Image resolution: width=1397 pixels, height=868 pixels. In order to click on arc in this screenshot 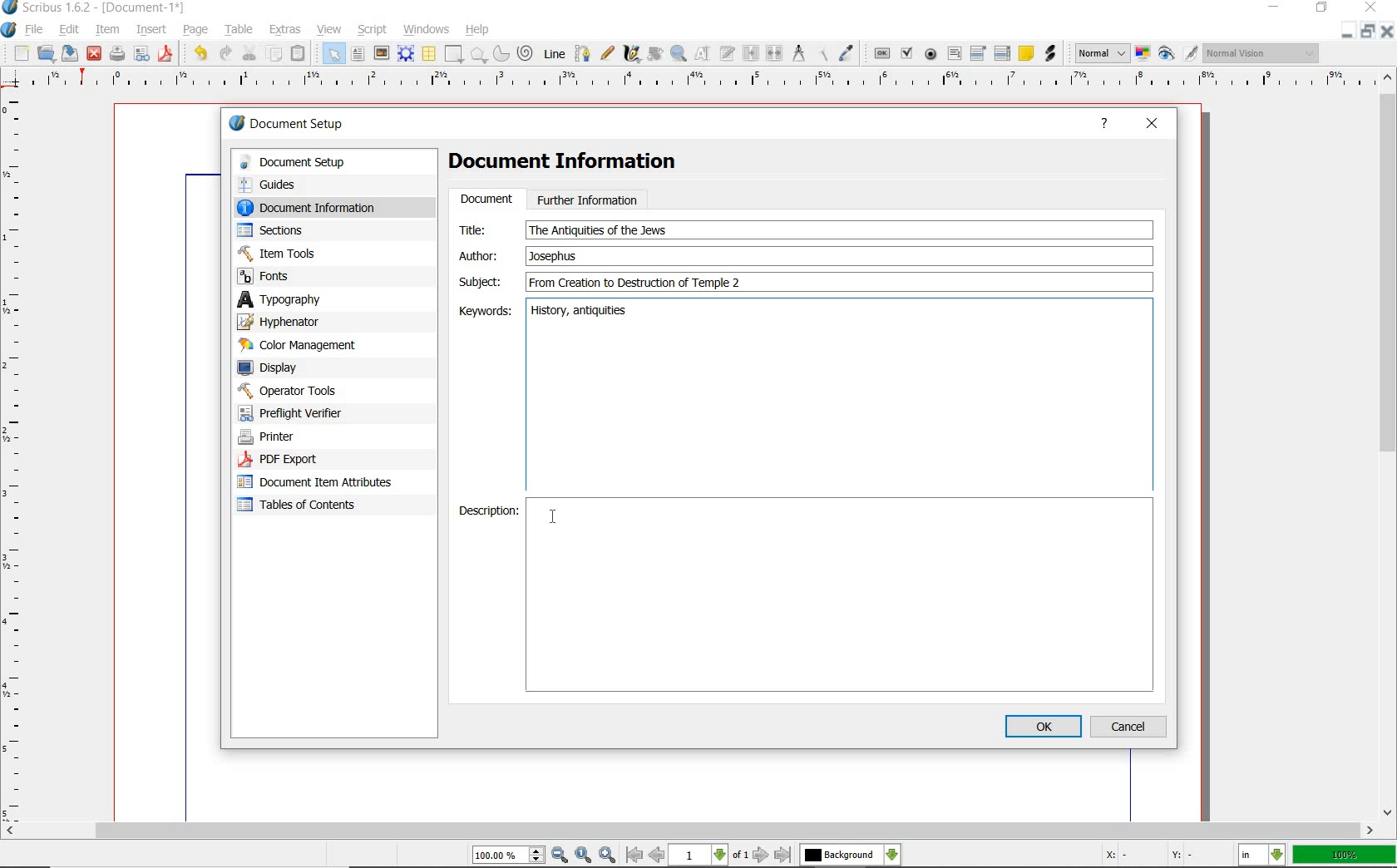, I will do `click(501, 53)`.